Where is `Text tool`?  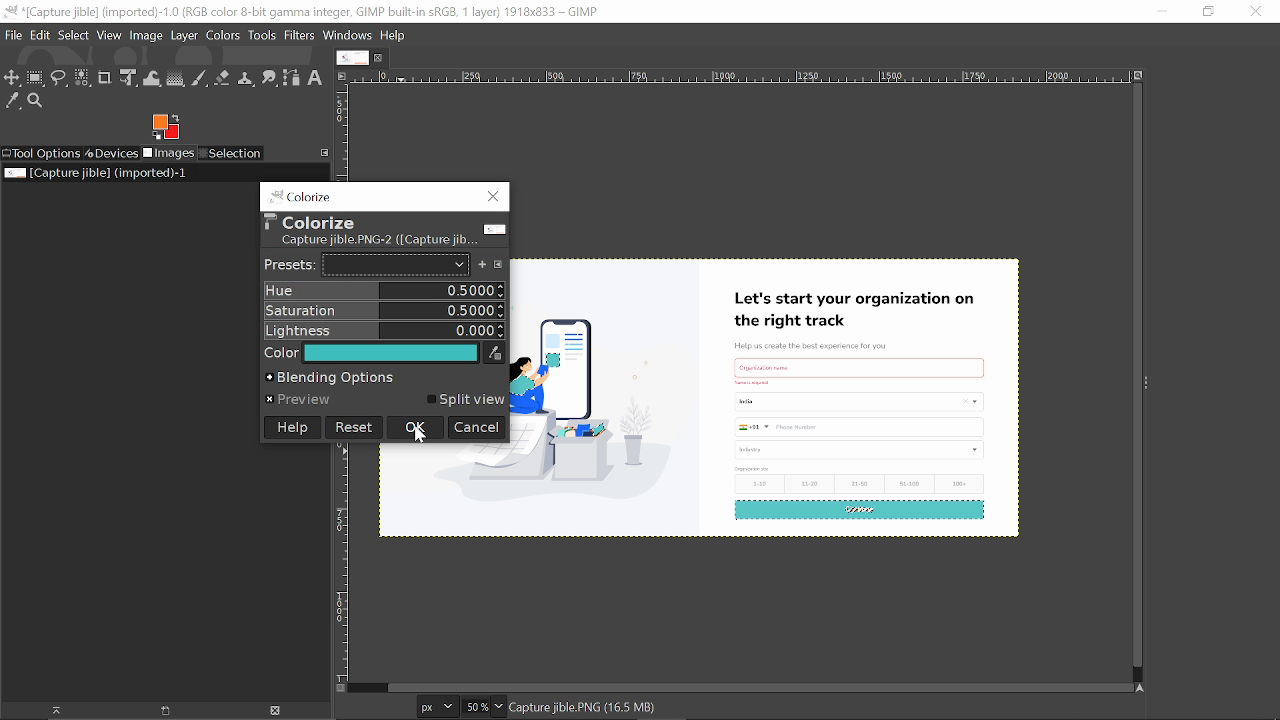
Text tool is located at coordinates (314, 78).